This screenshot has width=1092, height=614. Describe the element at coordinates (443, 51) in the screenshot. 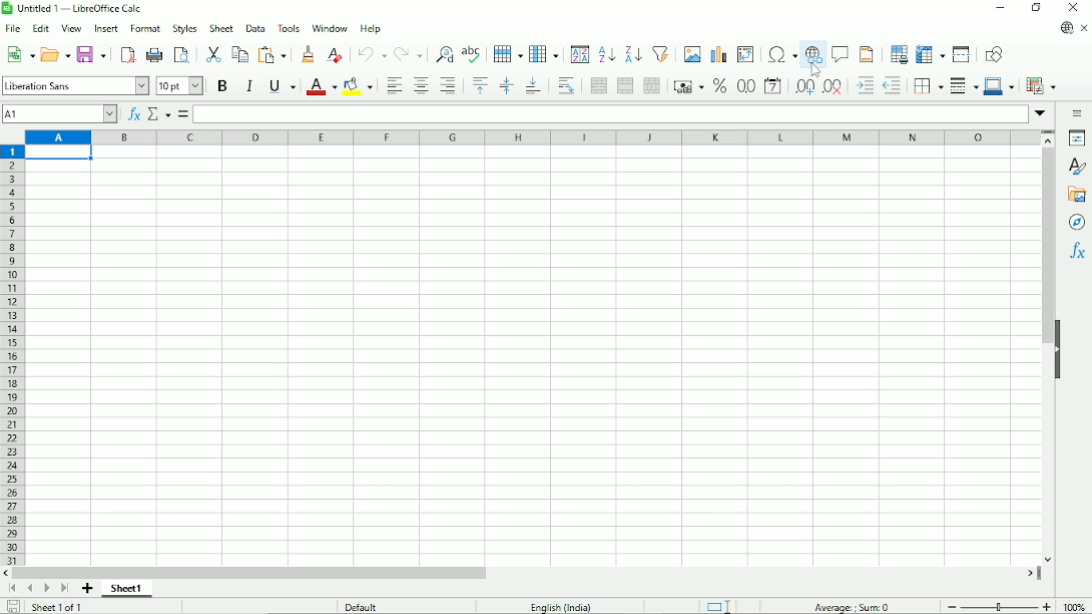

I see `Find and replace` at that location.